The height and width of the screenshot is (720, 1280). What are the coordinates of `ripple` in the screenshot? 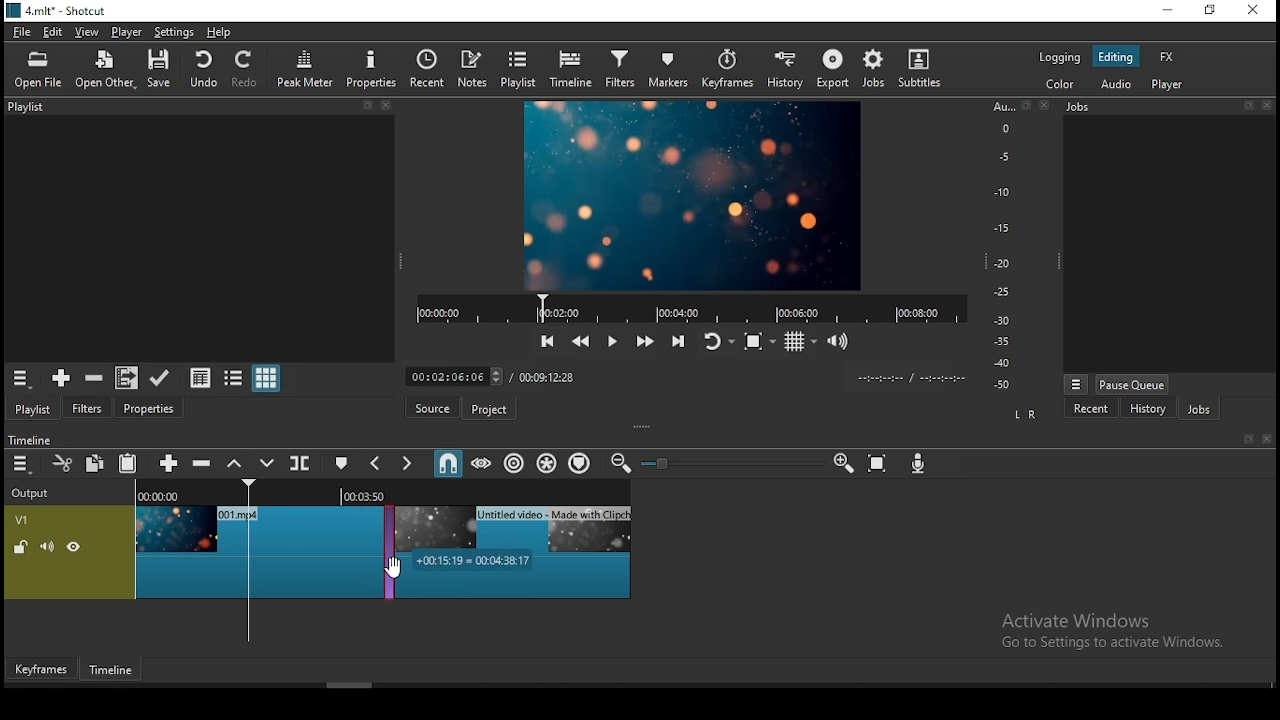 It's located at (515, 462).